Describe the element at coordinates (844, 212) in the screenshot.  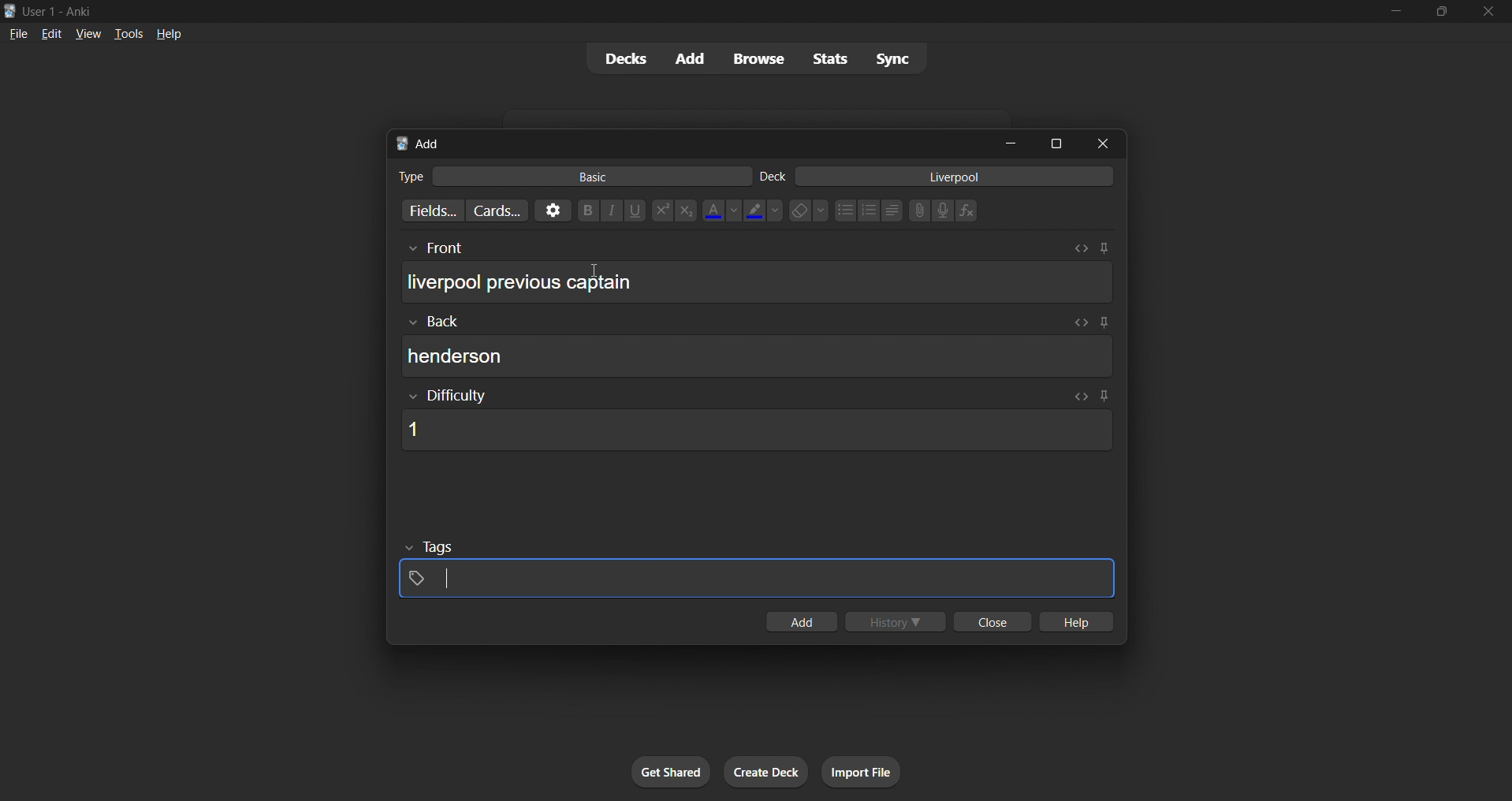
I see `dotted list` at that location.